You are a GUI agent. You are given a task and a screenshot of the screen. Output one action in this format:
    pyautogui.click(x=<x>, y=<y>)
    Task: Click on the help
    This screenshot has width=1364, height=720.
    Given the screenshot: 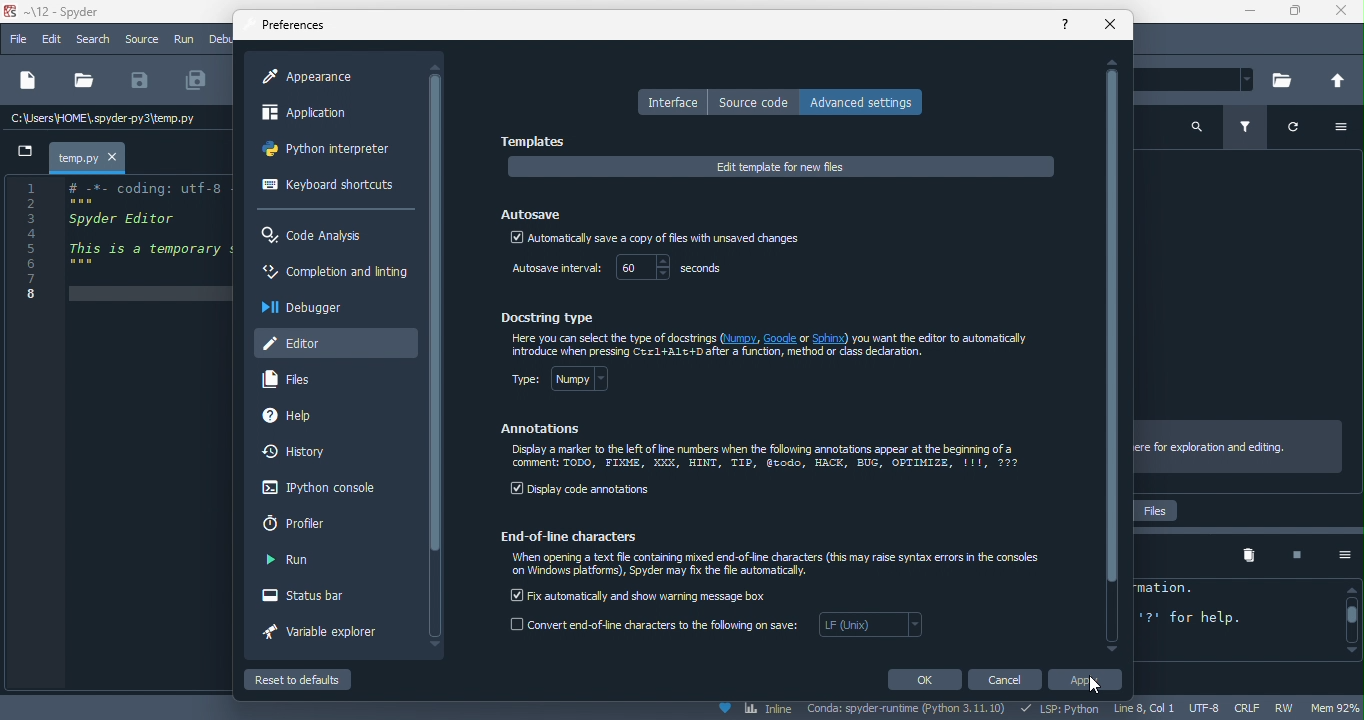 What is the action you would take?
    pyautogui.click(x=308, y=417)
    